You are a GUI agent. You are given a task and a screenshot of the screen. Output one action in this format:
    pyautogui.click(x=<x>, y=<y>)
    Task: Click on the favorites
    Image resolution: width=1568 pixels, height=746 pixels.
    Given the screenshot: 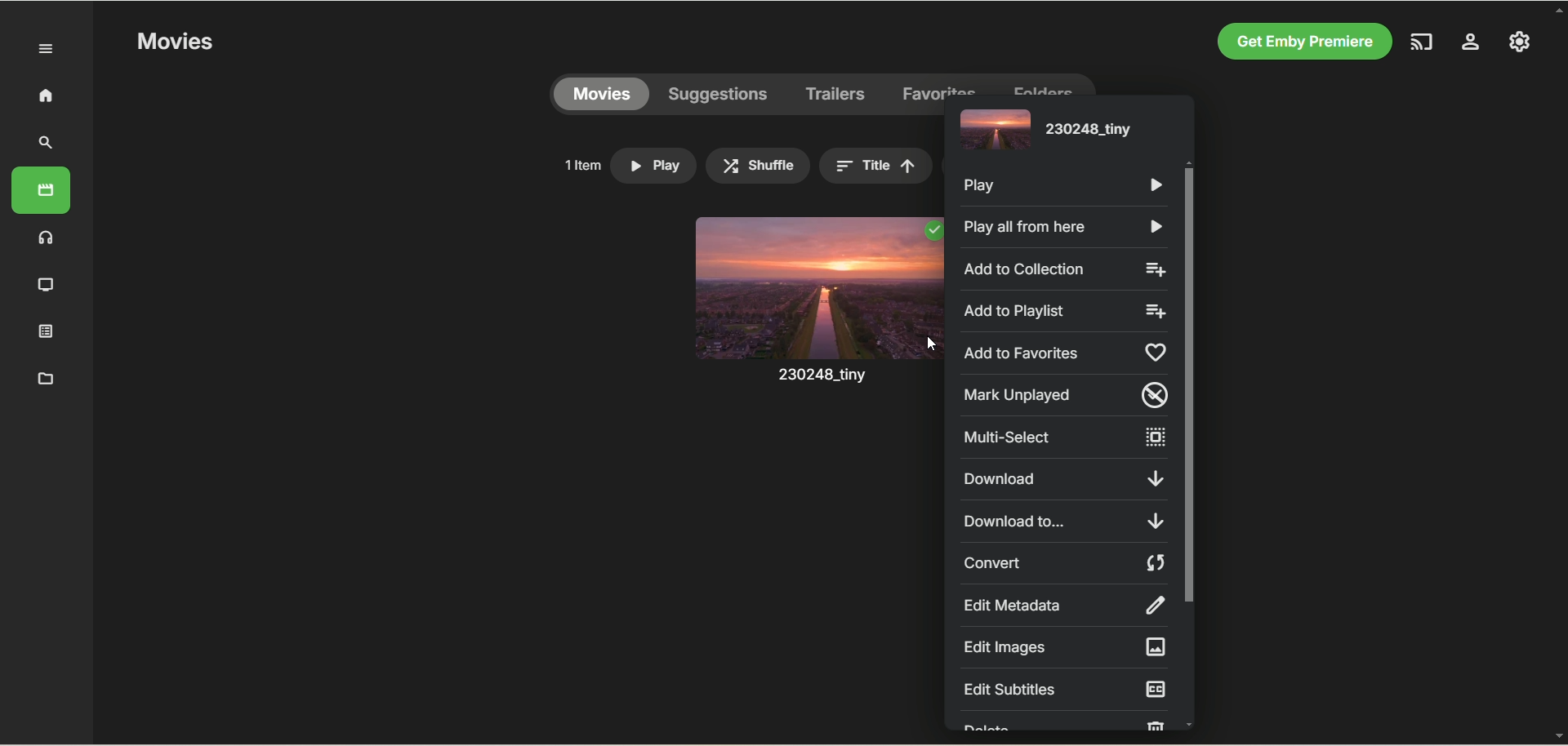 What is the action you would take?
    pyautogui.click(x=940, y=84)
    